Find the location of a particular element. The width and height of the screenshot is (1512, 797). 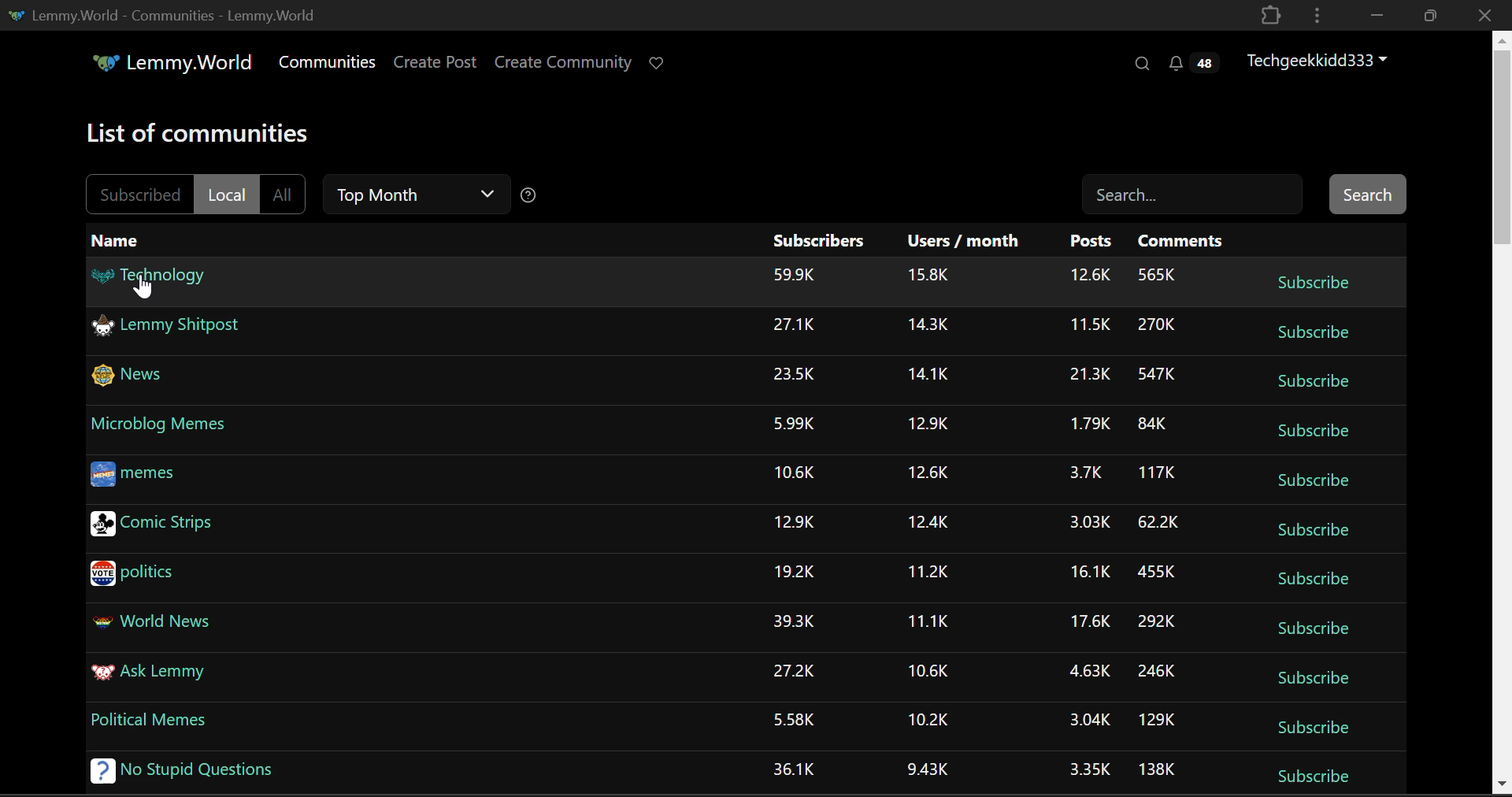

Amount is located at coordinates (794, 473).